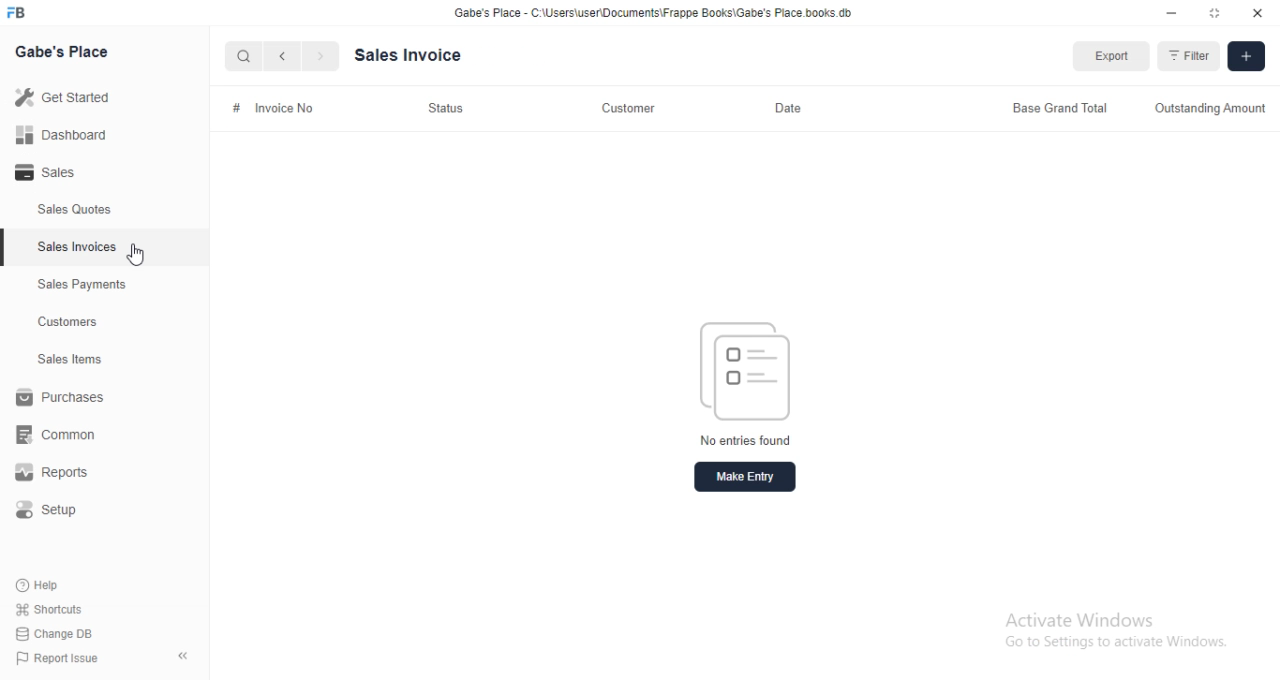  Describe the element at coordinates (65, 52) in the screenshot. I see `Gabe's Place` at that location.